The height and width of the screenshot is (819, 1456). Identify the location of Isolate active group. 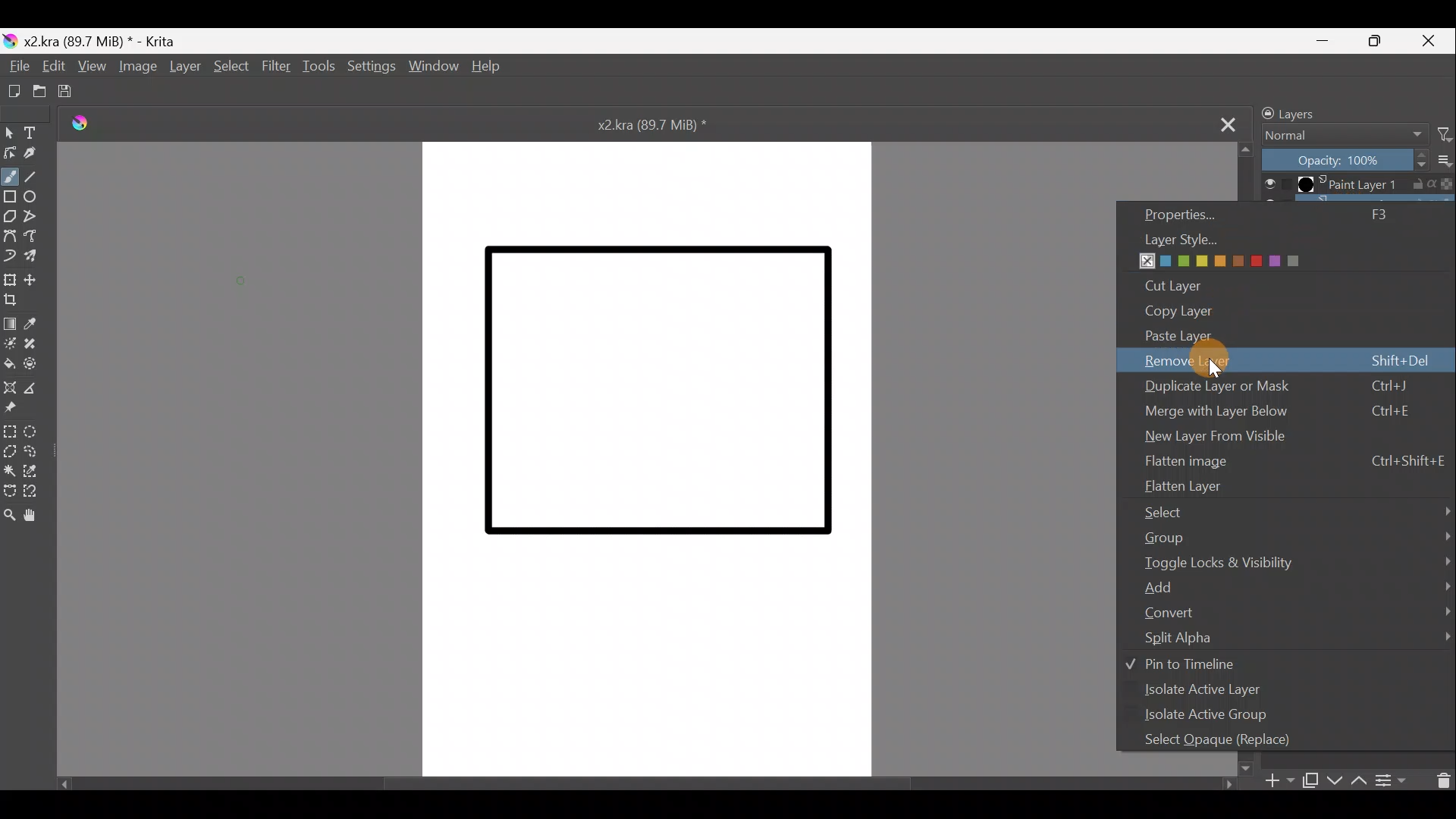
(1217, 716).